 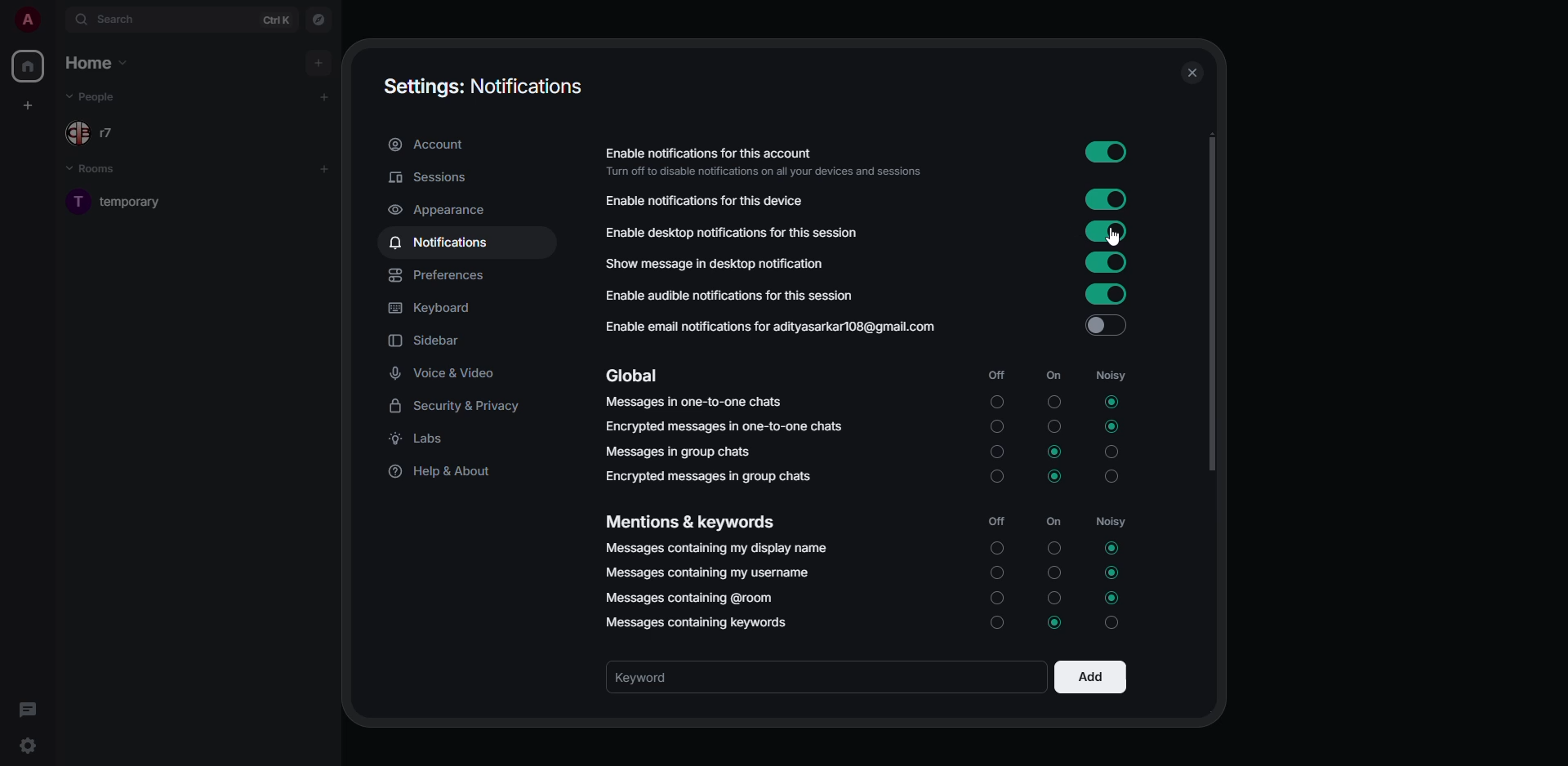 What do you see at coordinates (1055, 622) in the screenshot?
I see `` at bounding box center [1055, 622].